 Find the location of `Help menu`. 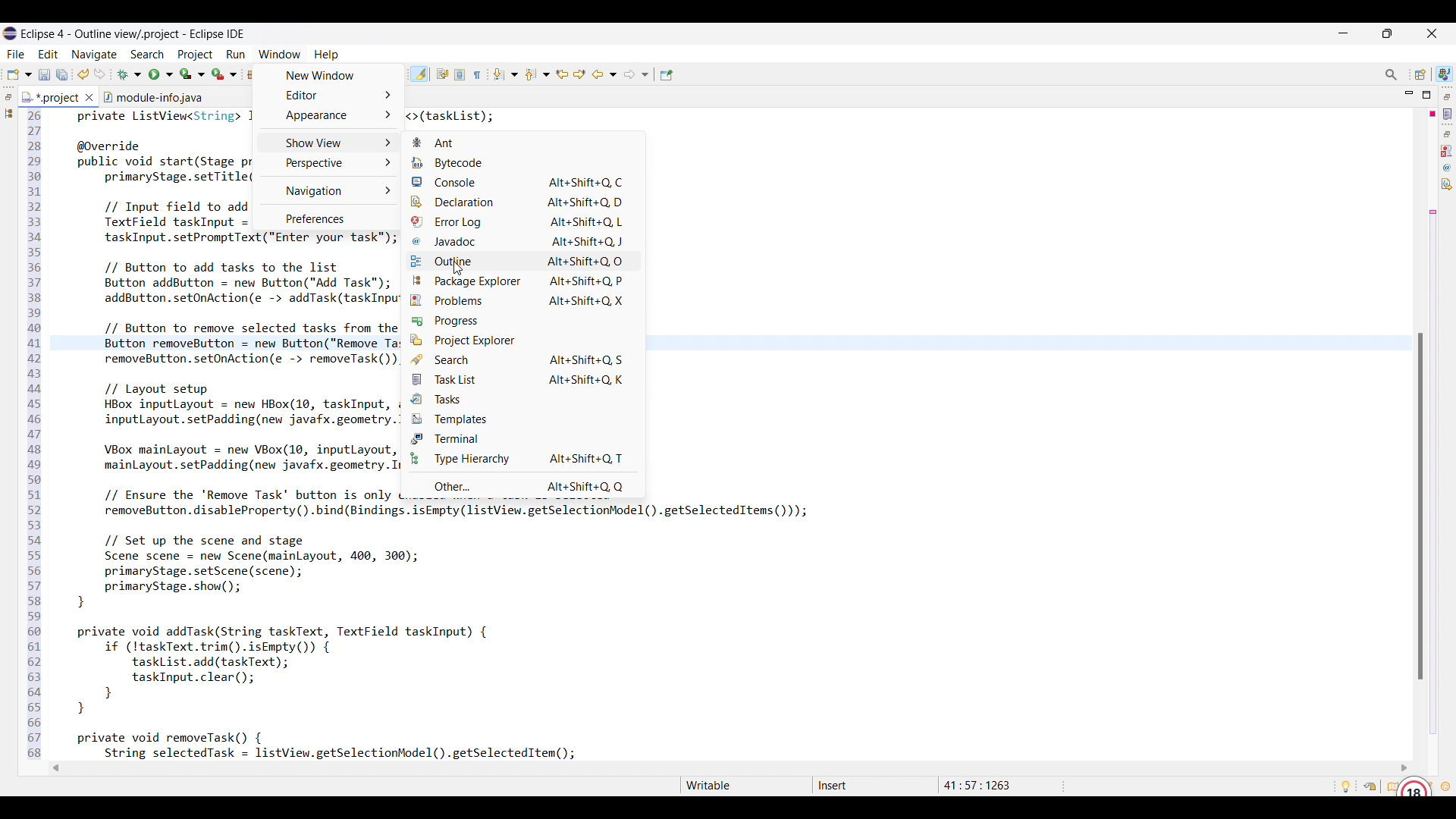

Help menu is located at coordinates (327, 55).